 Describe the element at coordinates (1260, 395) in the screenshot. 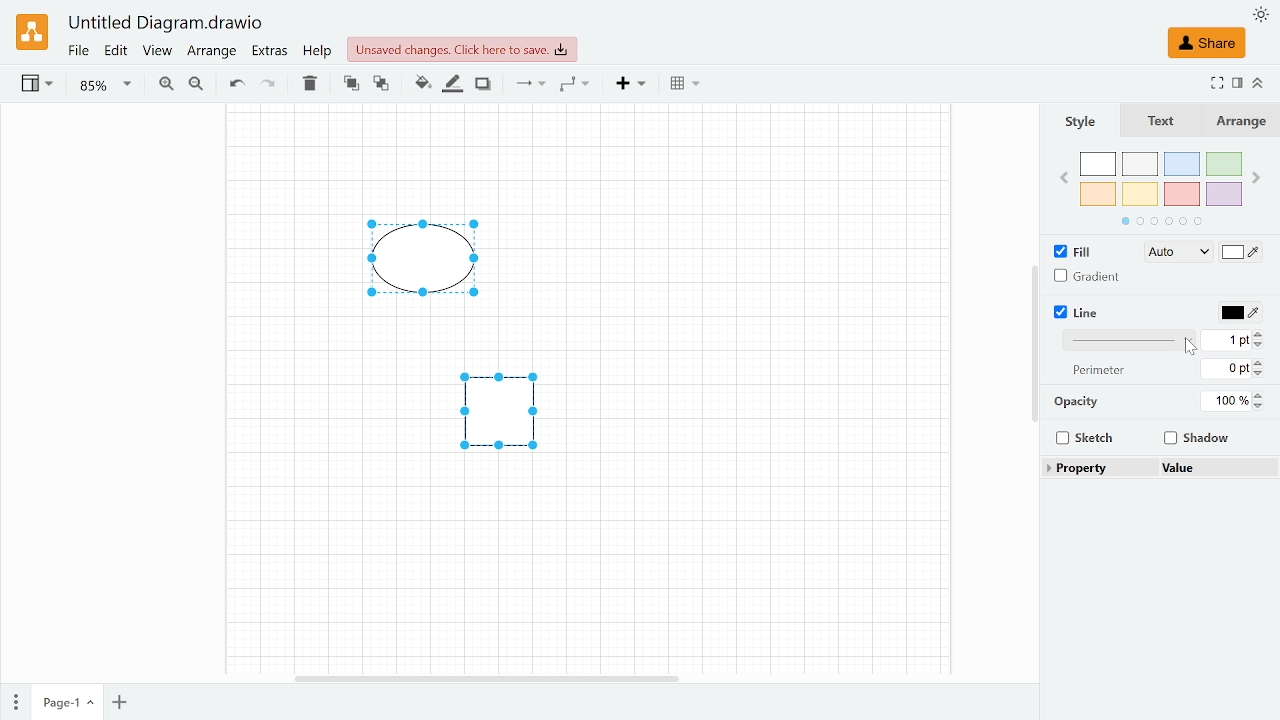

I see `Increase Opacity` at that location.